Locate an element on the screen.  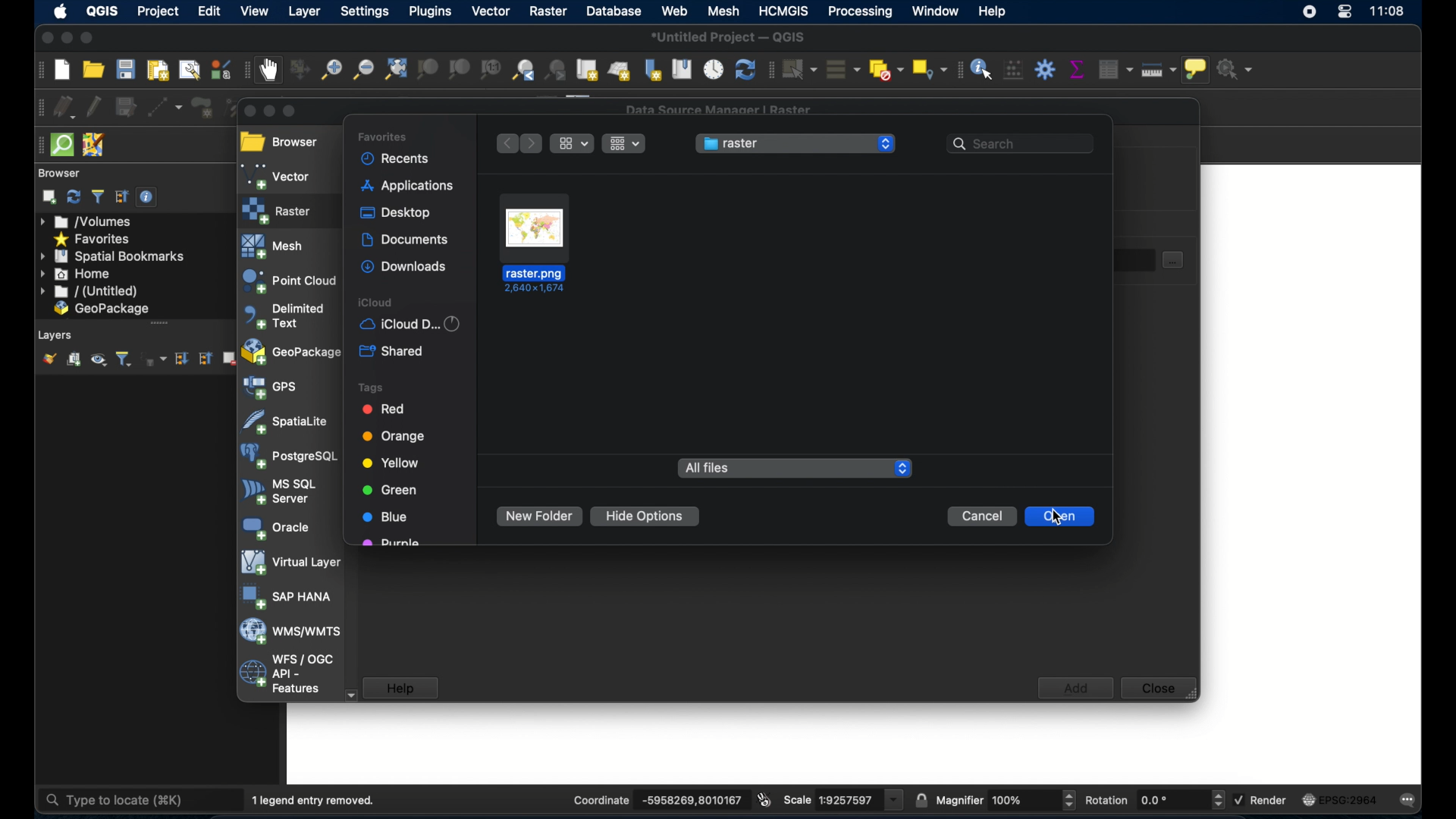
select all features is located at coordinates (840, 69).